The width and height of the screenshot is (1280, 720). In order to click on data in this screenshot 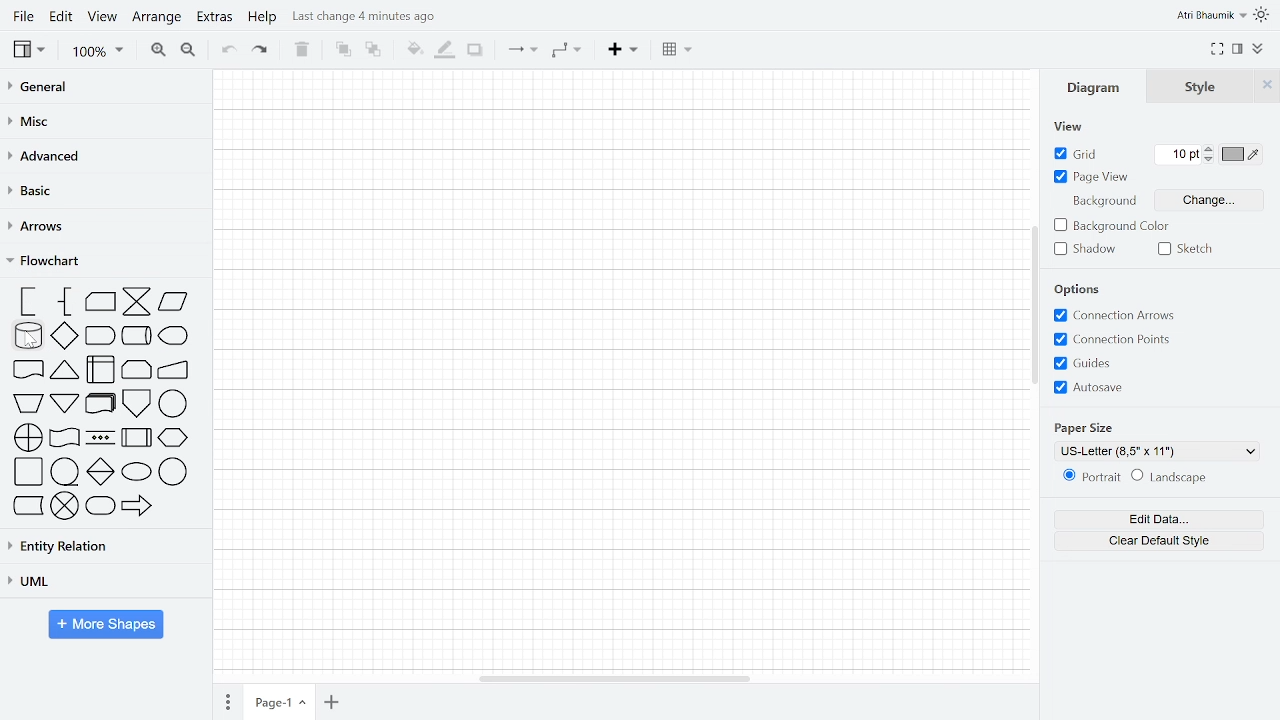, I will do `click(173, 304)`.